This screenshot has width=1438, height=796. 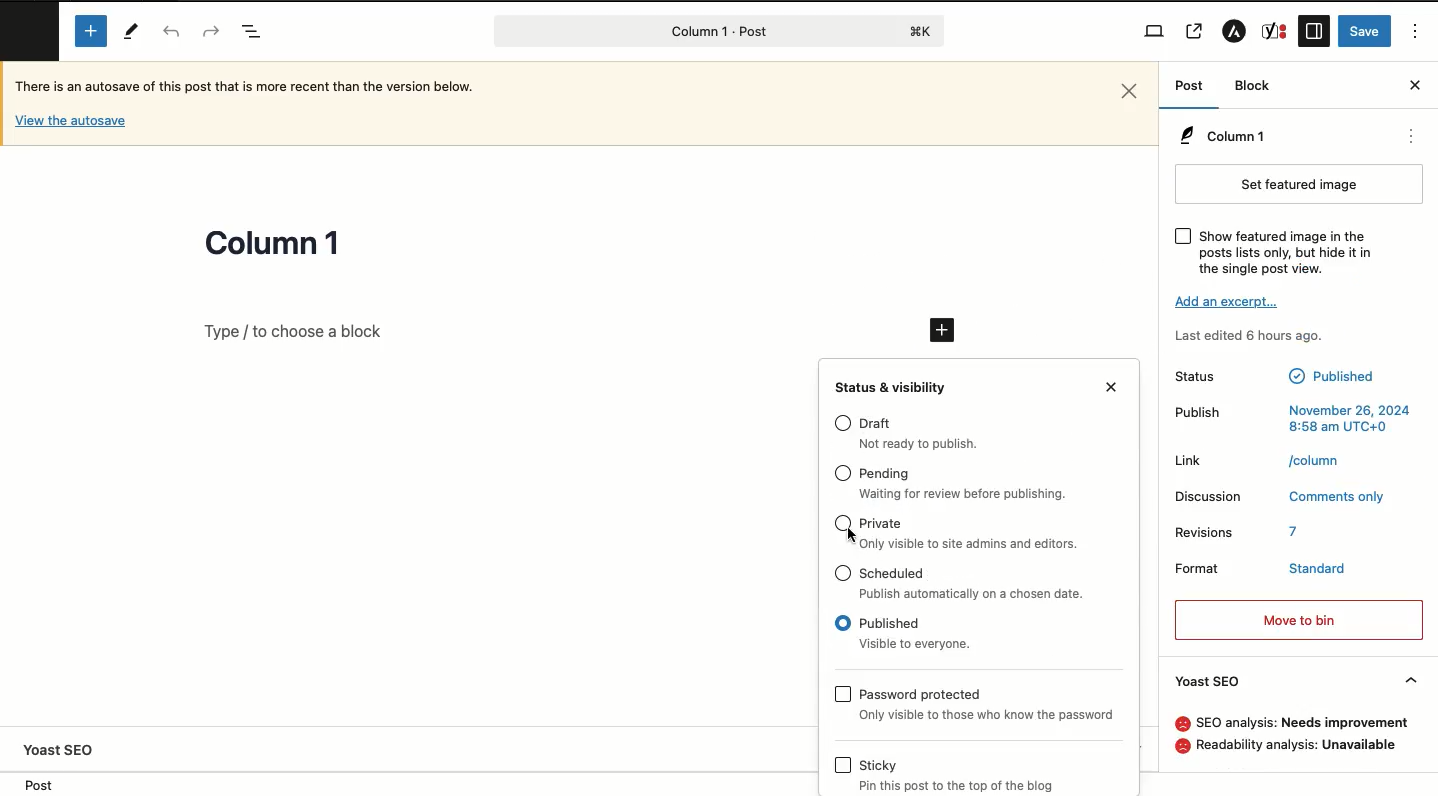 What do you see at coordinates (1113, 386) in the screenshot?
I see `Close` at bounding box center [1113, 386].